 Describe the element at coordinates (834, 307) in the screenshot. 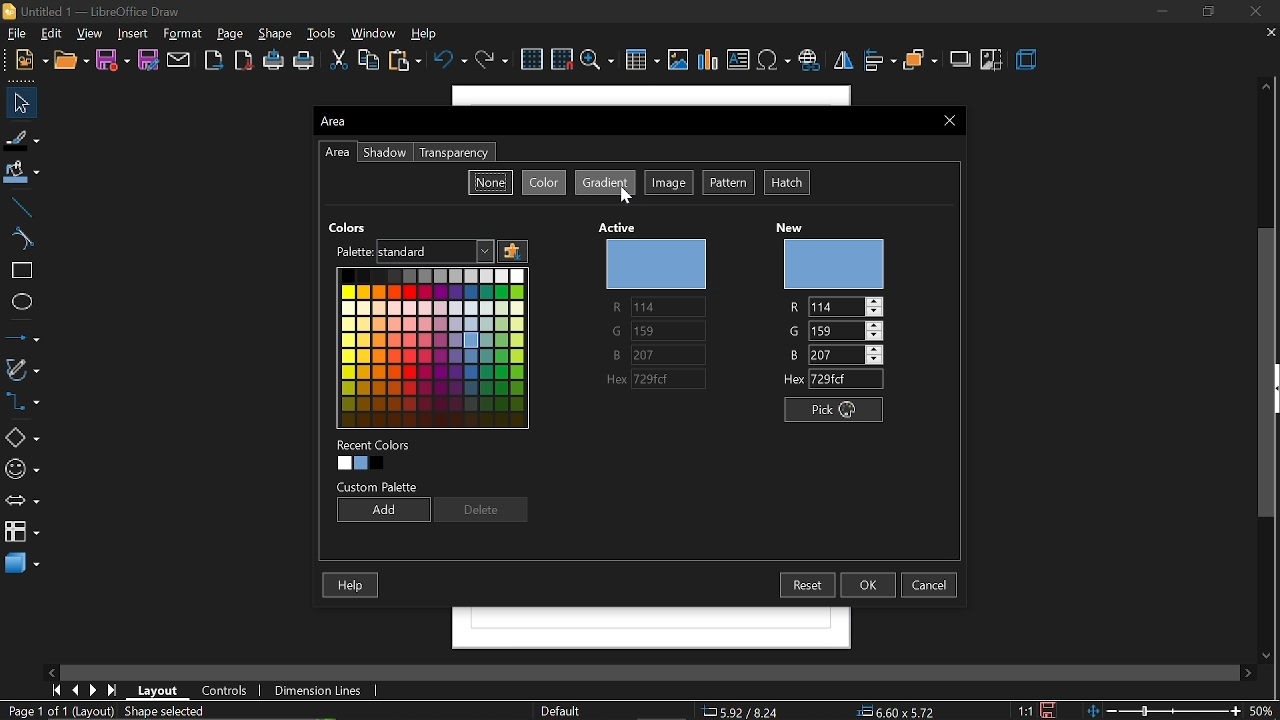

I see `new R` at that location.